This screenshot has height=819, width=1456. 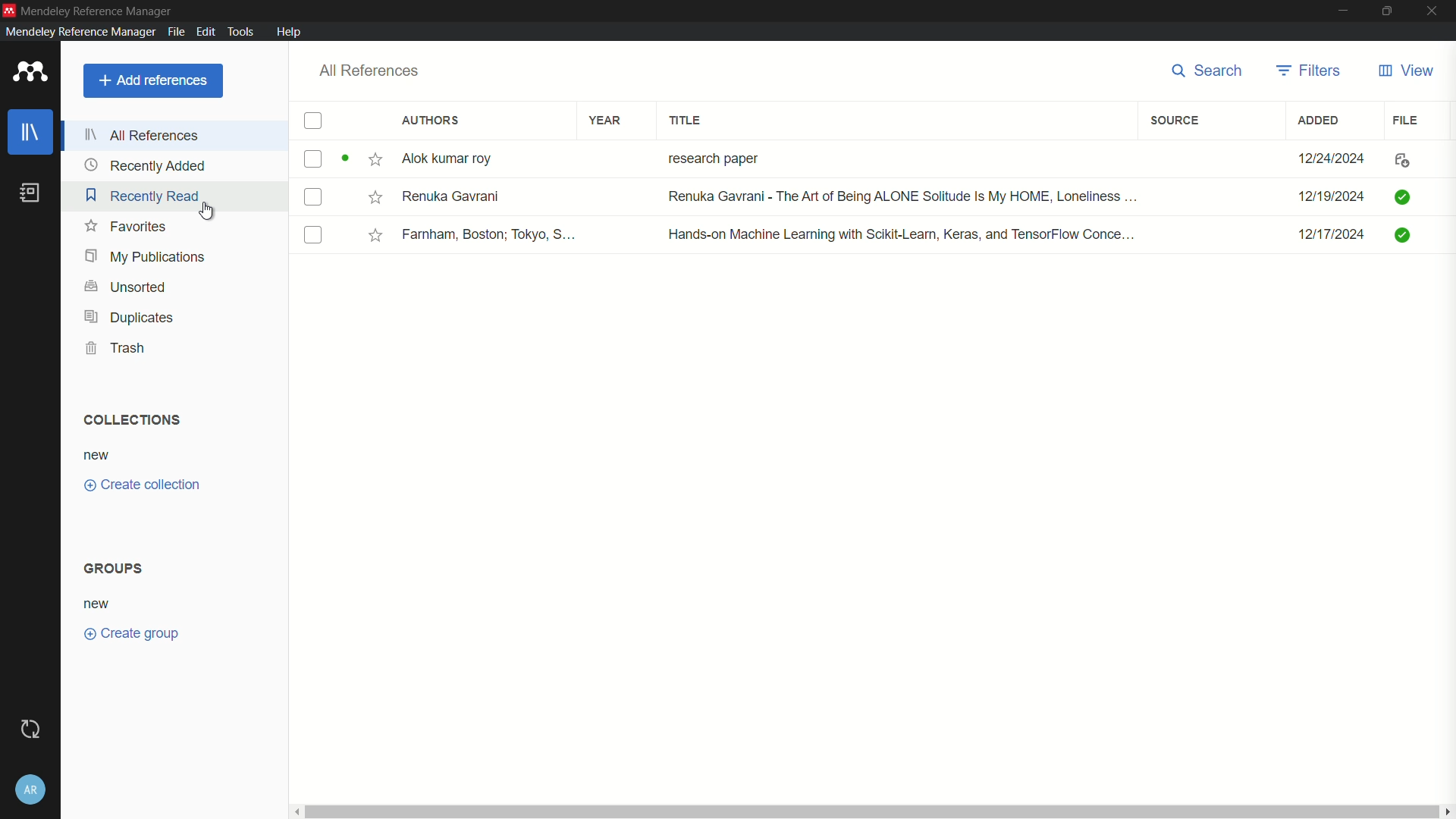 I want to click on Mendeley Reference Manager, so click(x=99, y=11).